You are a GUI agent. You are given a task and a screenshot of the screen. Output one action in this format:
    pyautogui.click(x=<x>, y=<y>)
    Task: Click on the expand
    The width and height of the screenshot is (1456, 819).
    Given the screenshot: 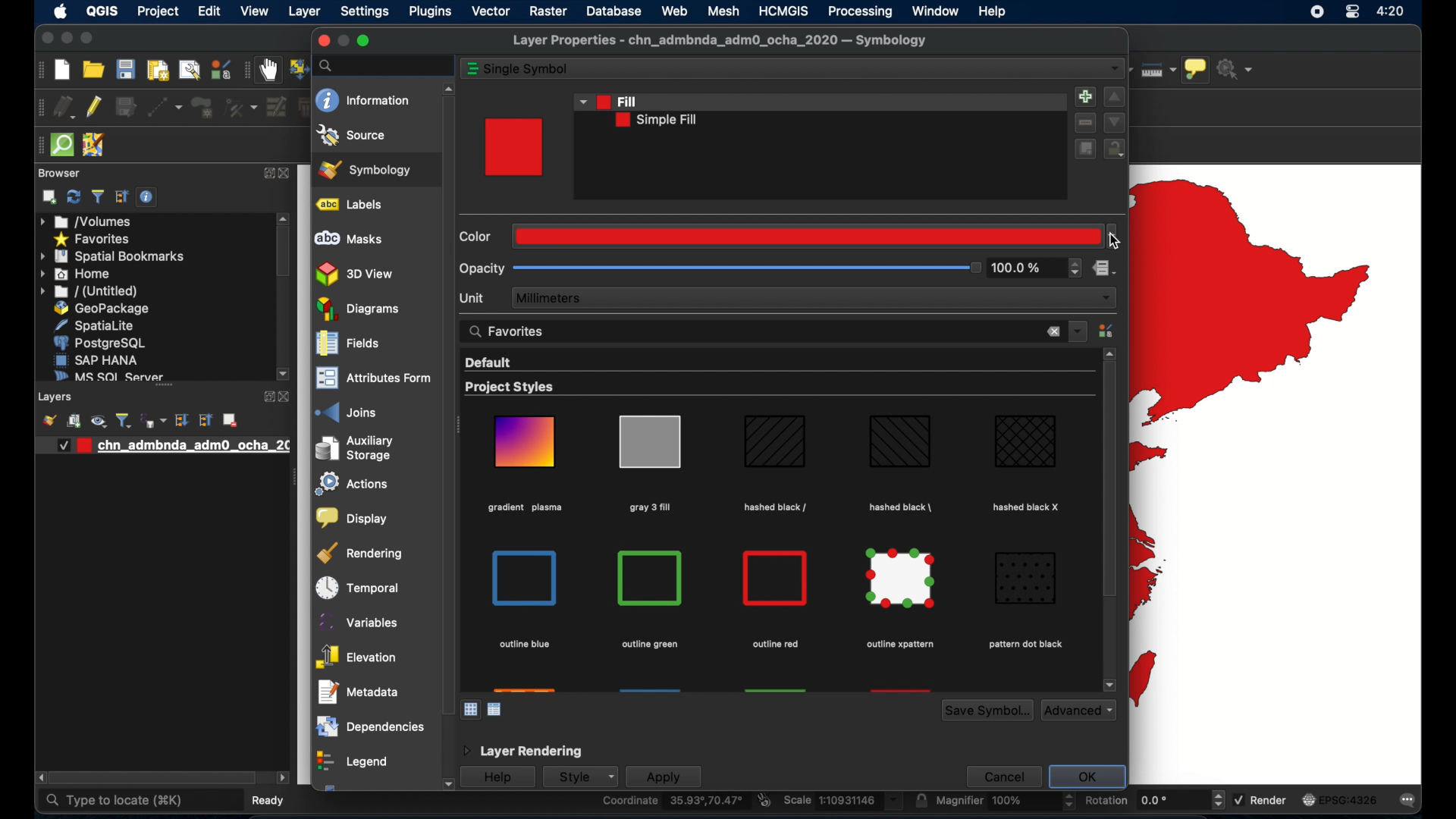 What is the action you would take?
    pyautogui.click(x=265, y=397)
    